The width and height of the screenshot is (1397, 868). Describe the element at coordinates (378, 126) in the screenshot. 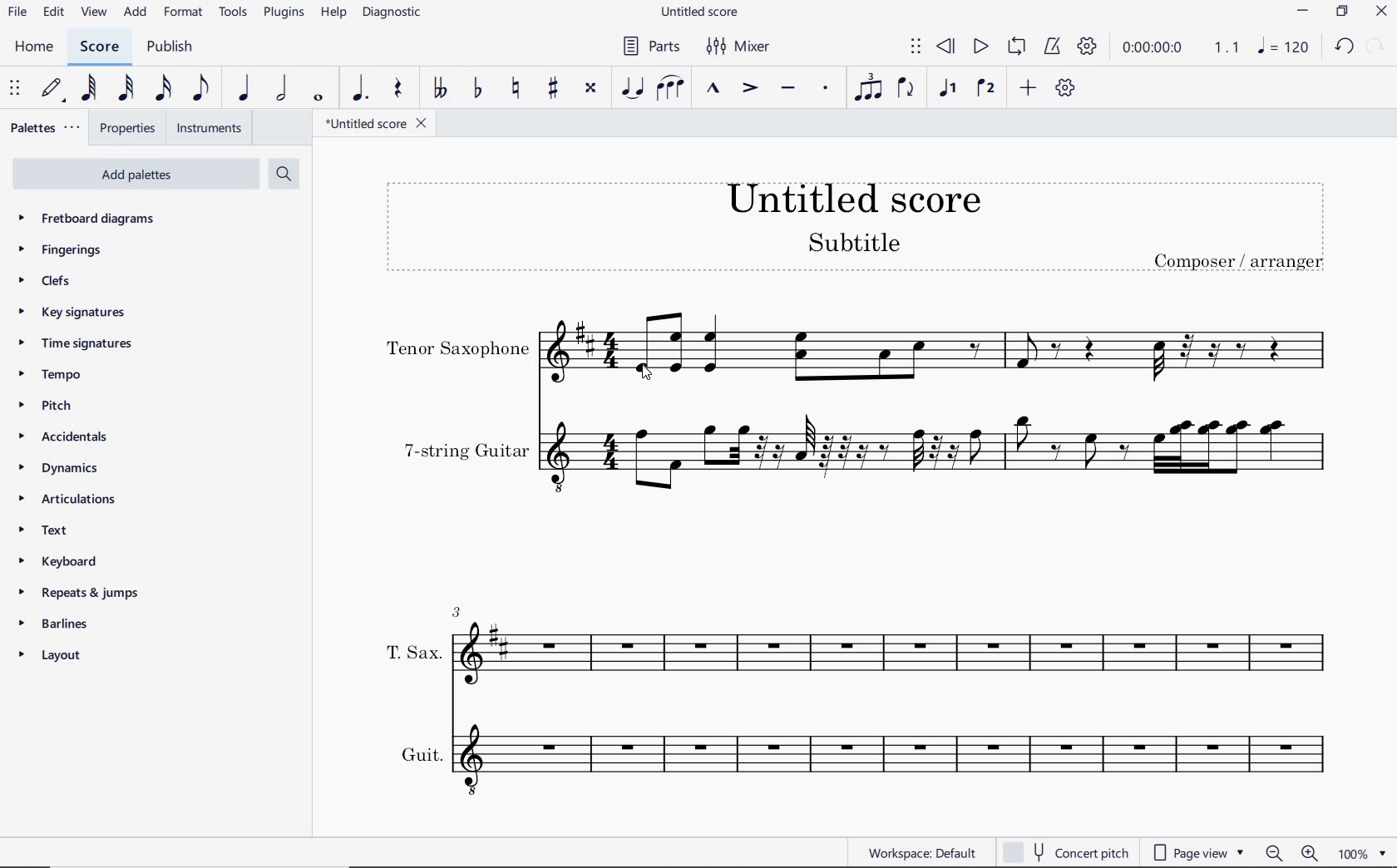

I see `FILE NAME` at that location.